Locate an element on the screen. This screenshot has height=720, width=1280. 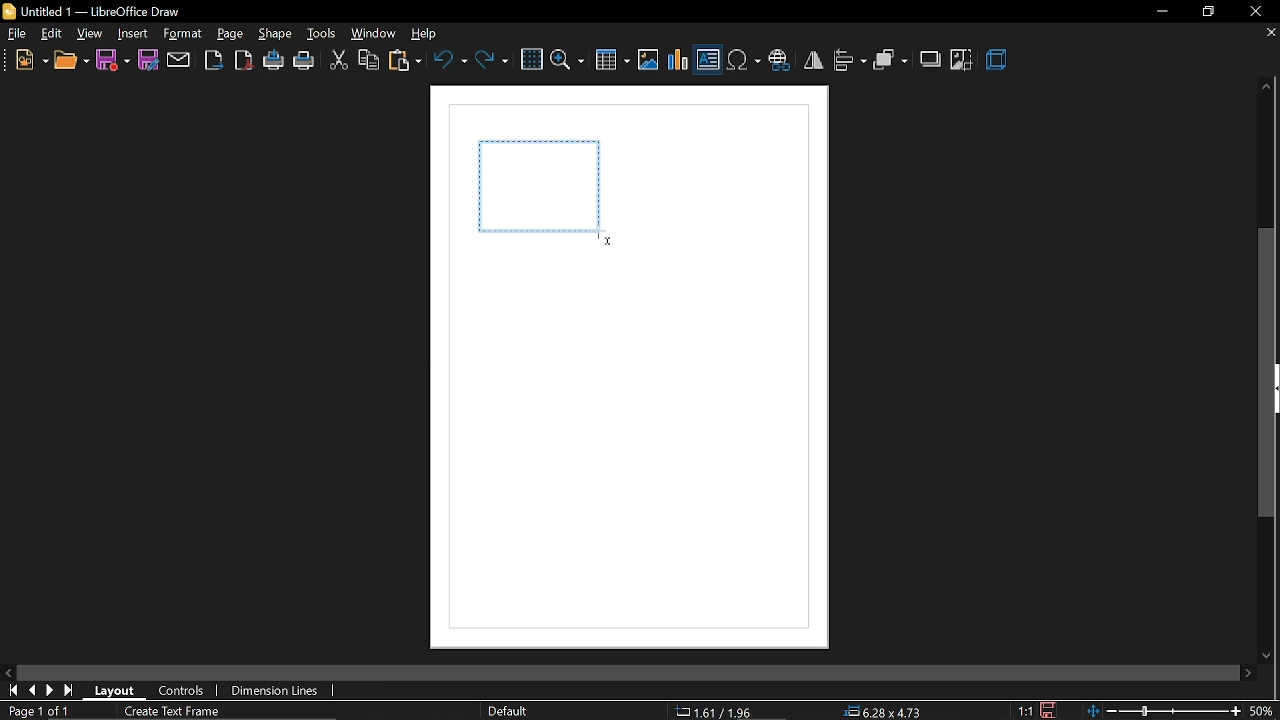
help is located at coordinates (429, 35).